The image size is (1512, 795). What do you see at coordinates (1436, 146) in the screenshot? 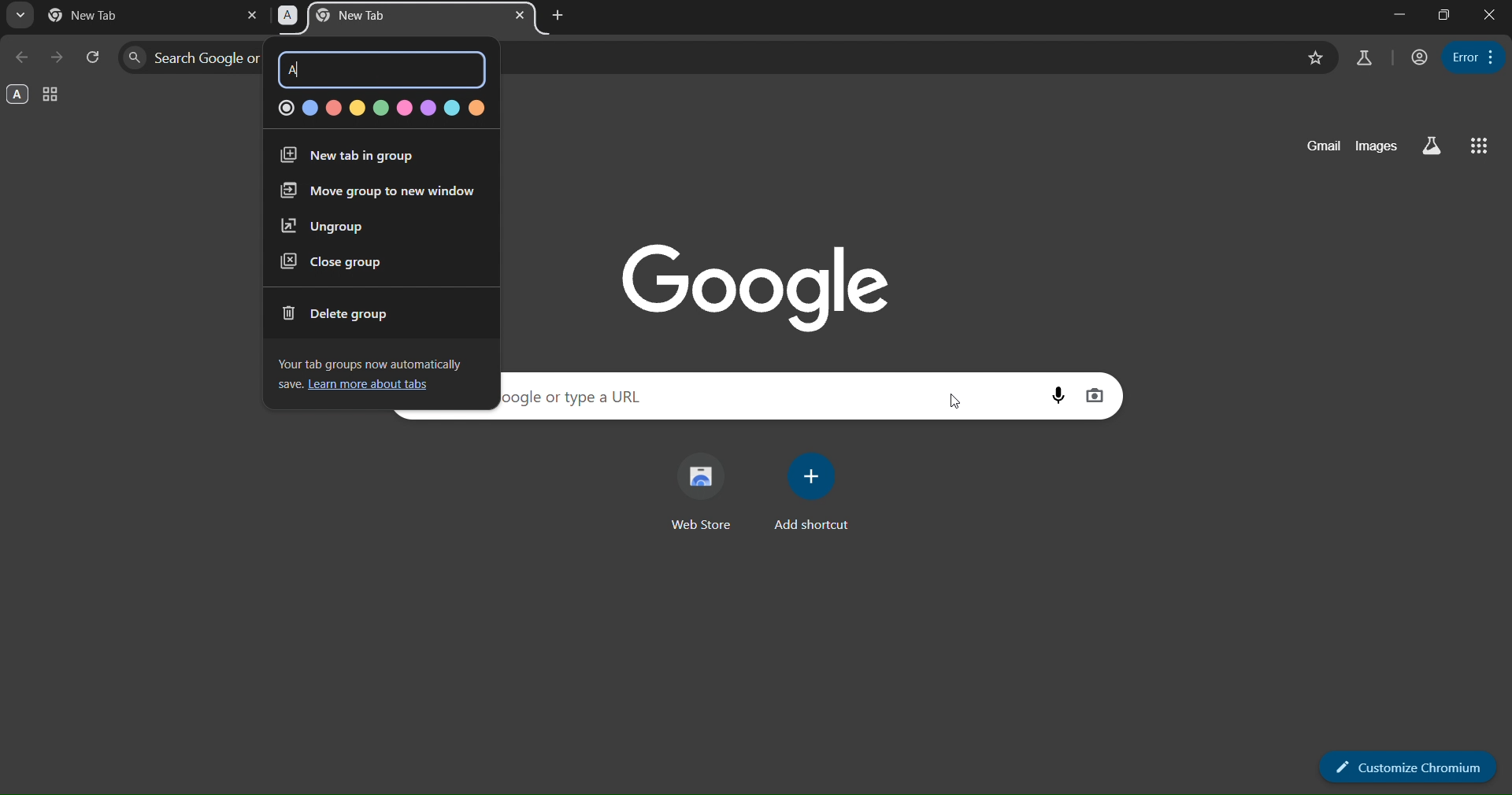
I see `search labs` at bounding box center [1436, 146].